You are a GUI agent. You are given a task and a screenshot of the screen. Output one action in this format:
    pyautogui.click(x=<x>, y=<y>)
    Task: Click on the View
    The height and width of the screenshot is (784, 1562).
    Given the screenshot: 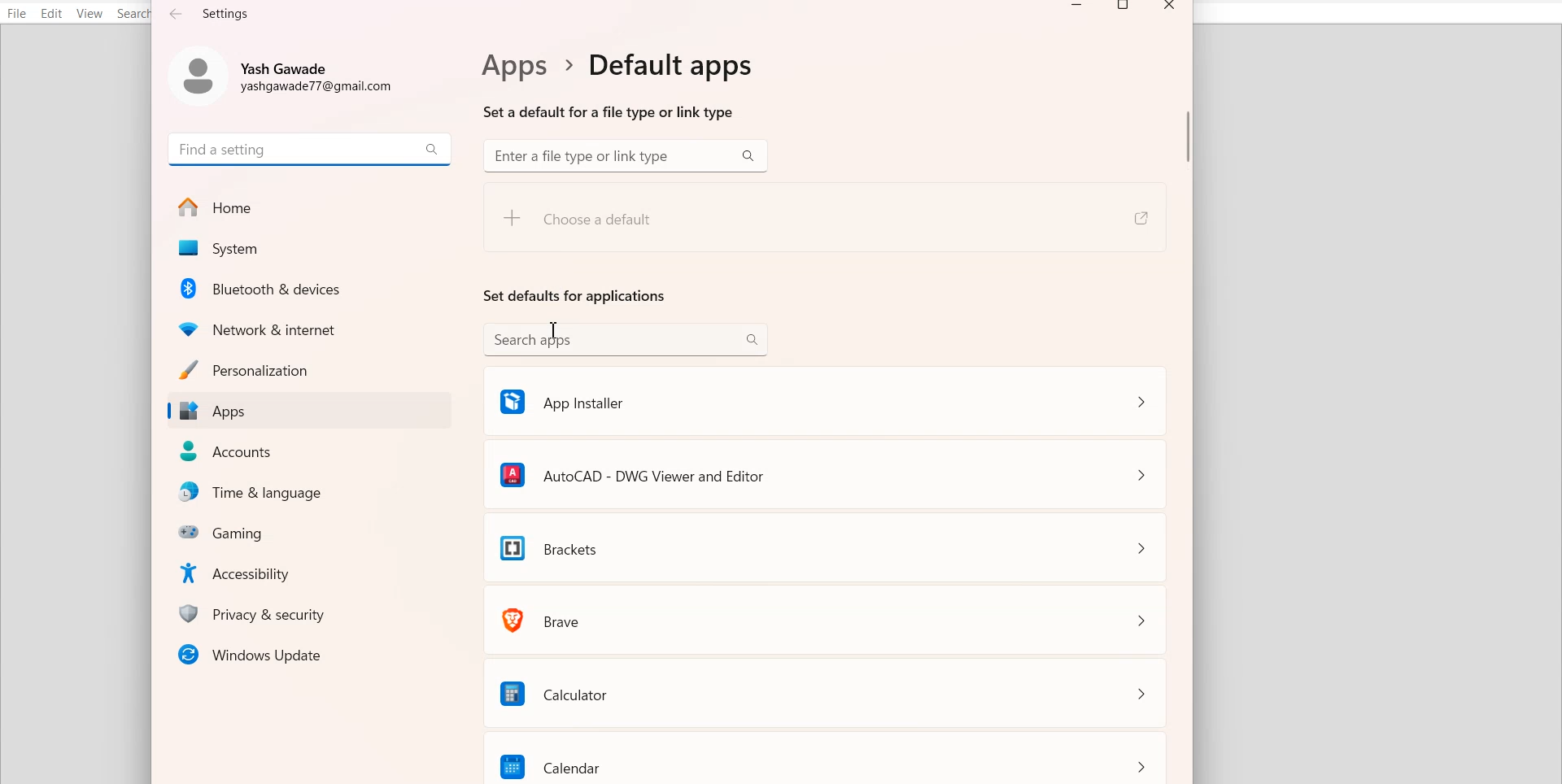 What is the action you would take?
    pyautogui.click(x=89, y=14)
    